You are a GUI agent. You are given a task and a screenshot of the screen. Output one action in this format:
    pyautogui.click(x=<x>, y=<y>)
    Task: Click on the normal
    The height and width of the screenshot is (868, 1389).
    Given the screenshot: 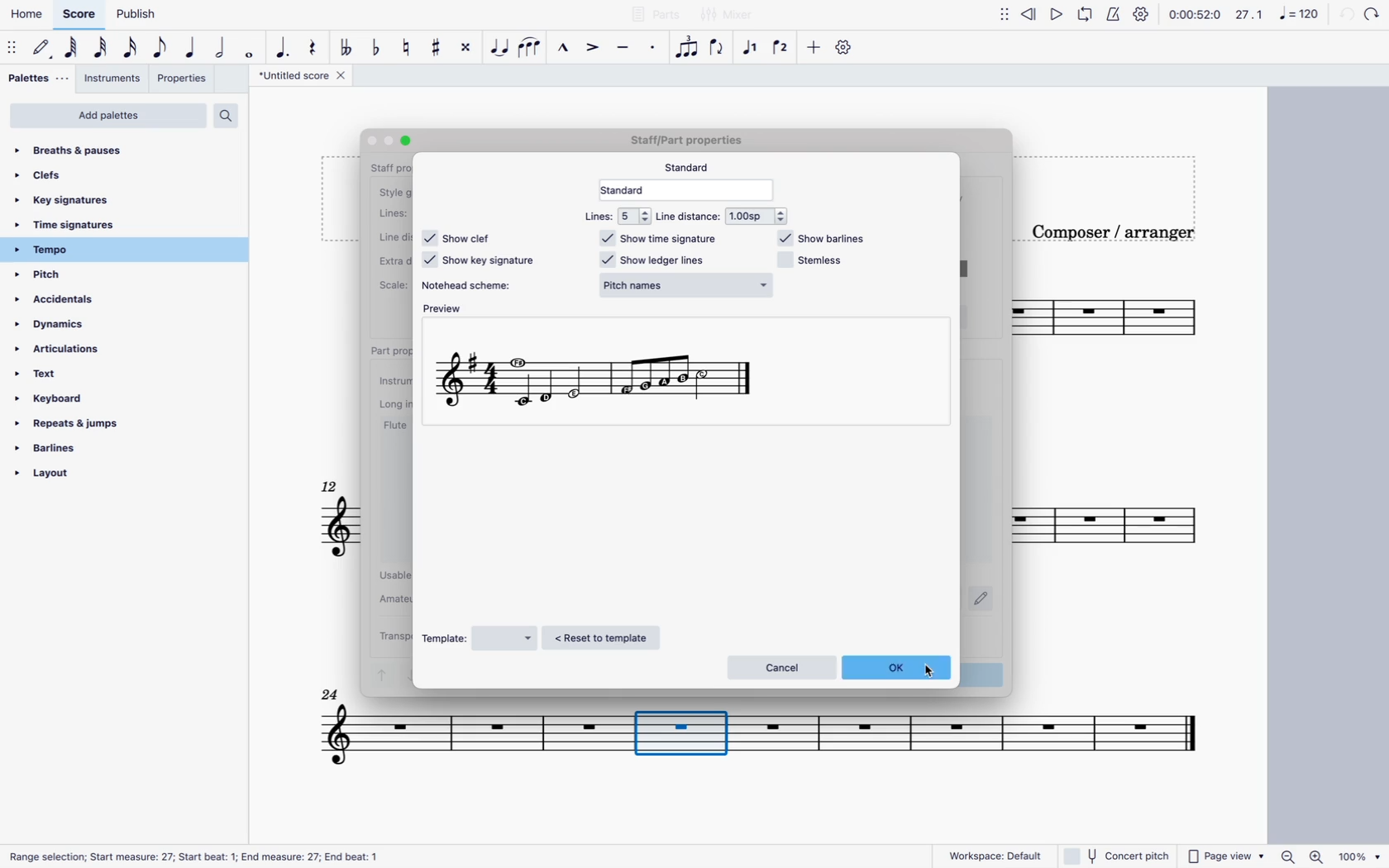 What is the action you would take?
    pyautogui.click(x=666, y=287)
    